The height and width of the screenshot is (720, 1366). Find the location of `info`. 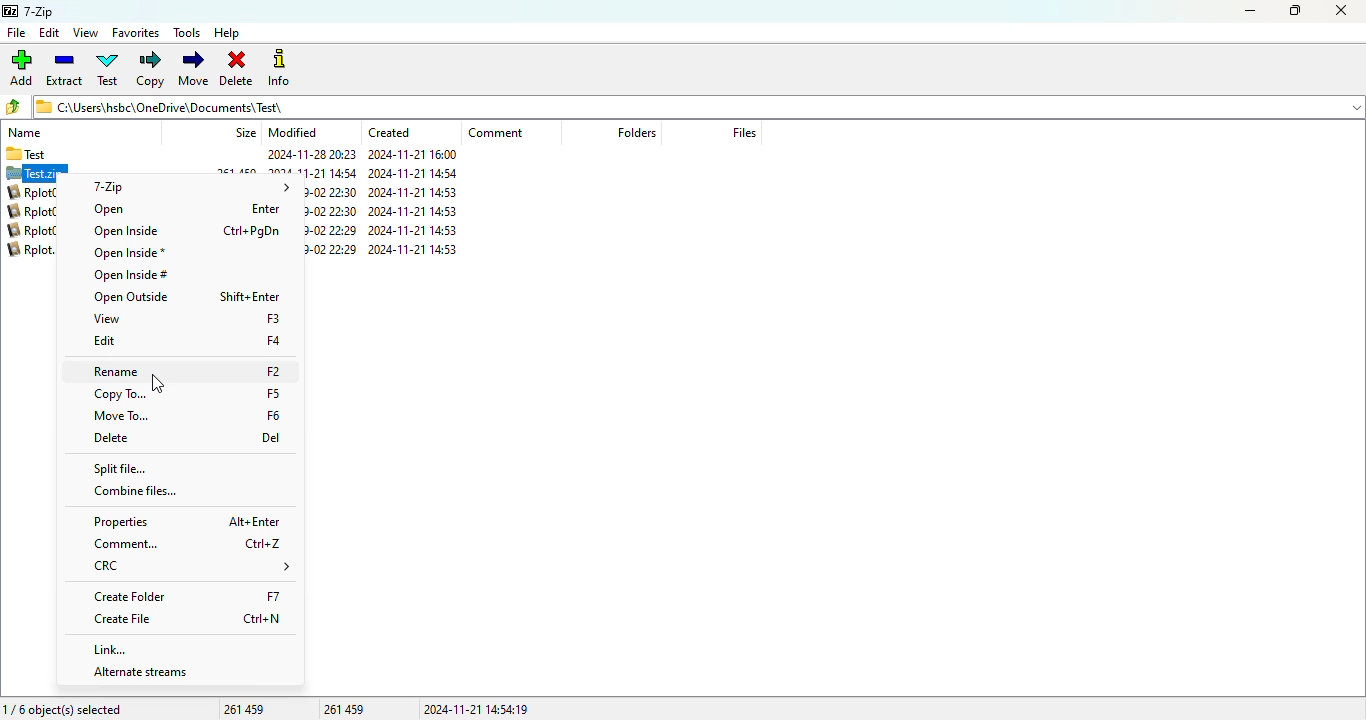

info is located at coordinates (279, 69).